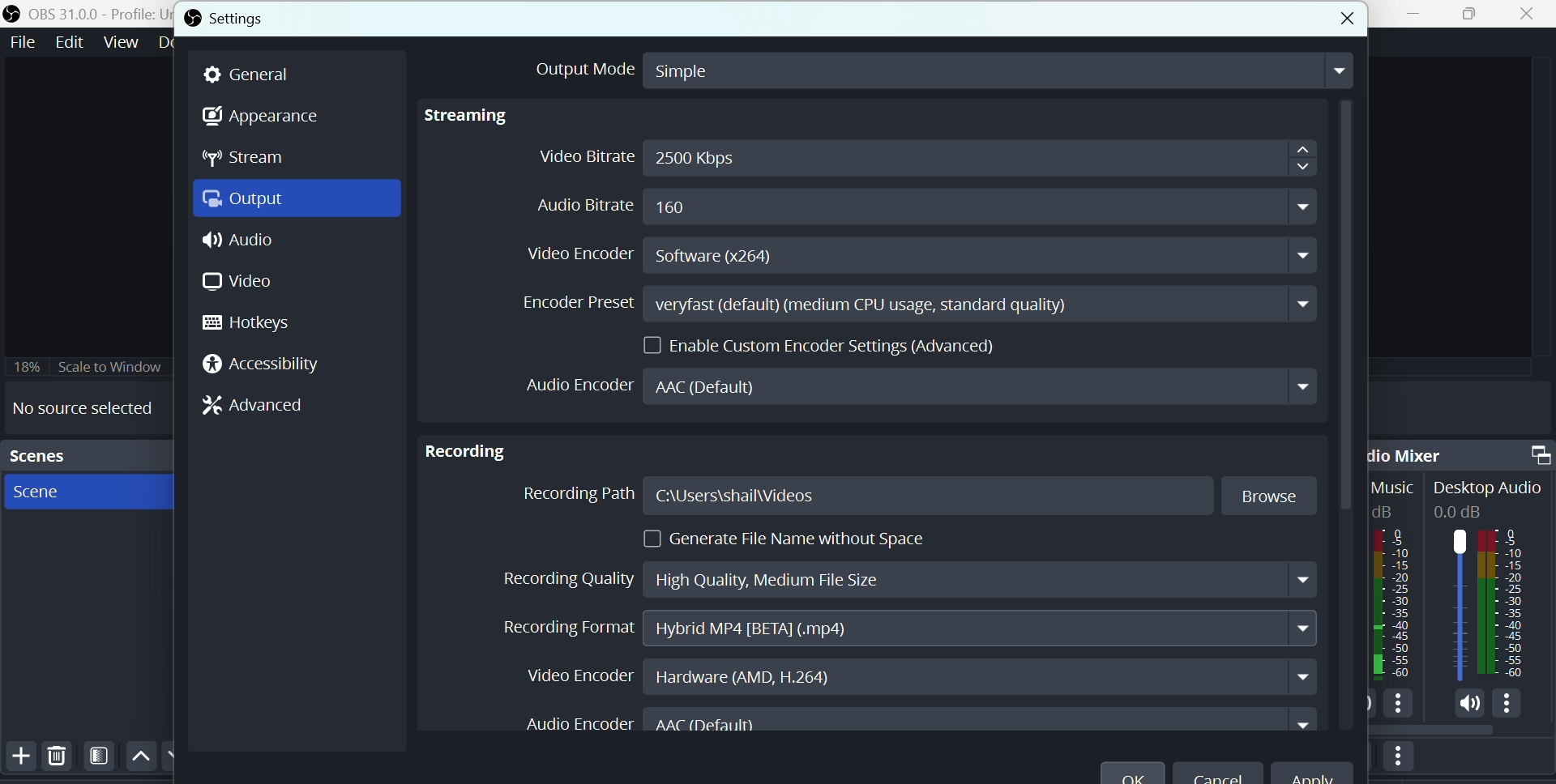 This screenshot has width=1556, height=784. What do you see at coordinates (104, 761) in the screenshot?
I see `Filters` at bounding box center [104, 761].